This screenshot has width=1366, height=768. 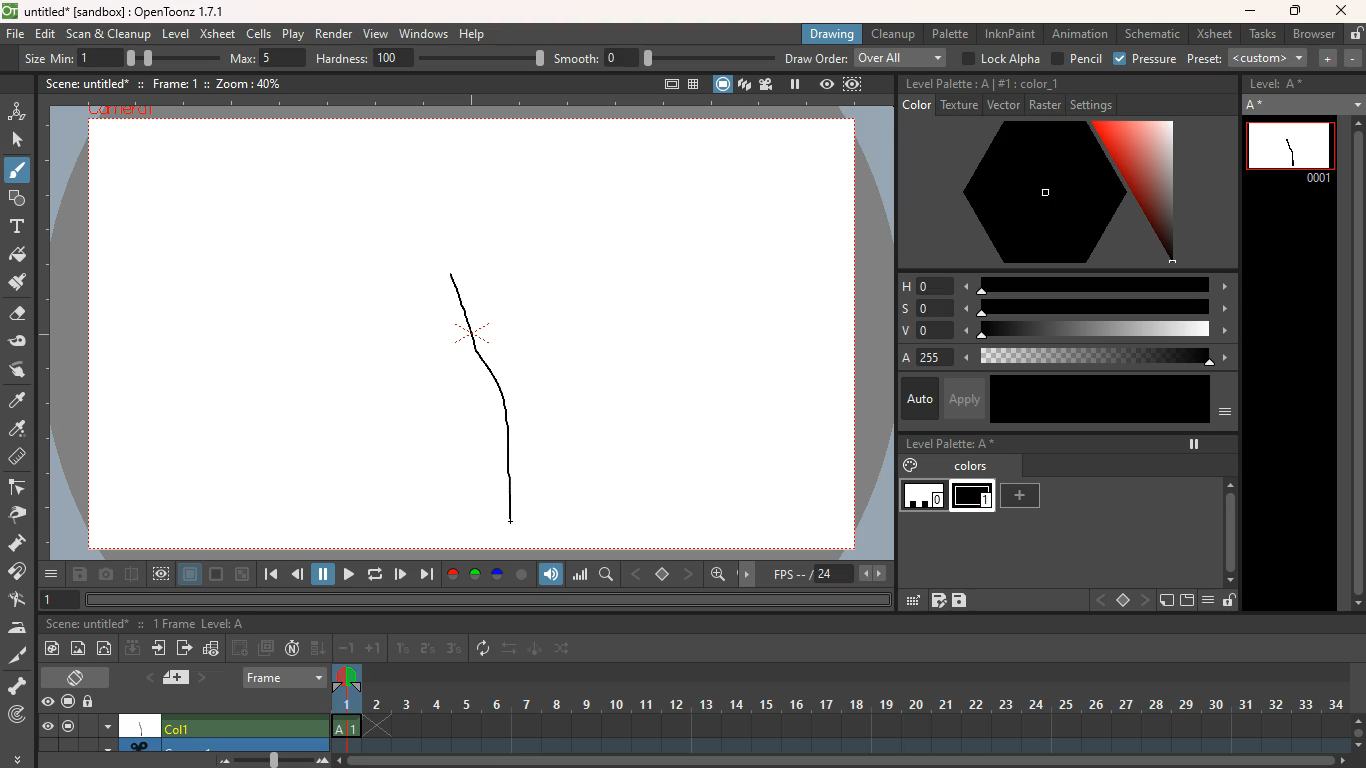 What do you see at coordinates (1358, 730) in the screenshot?
I see `zoom` at bounding box center [1358, 730].